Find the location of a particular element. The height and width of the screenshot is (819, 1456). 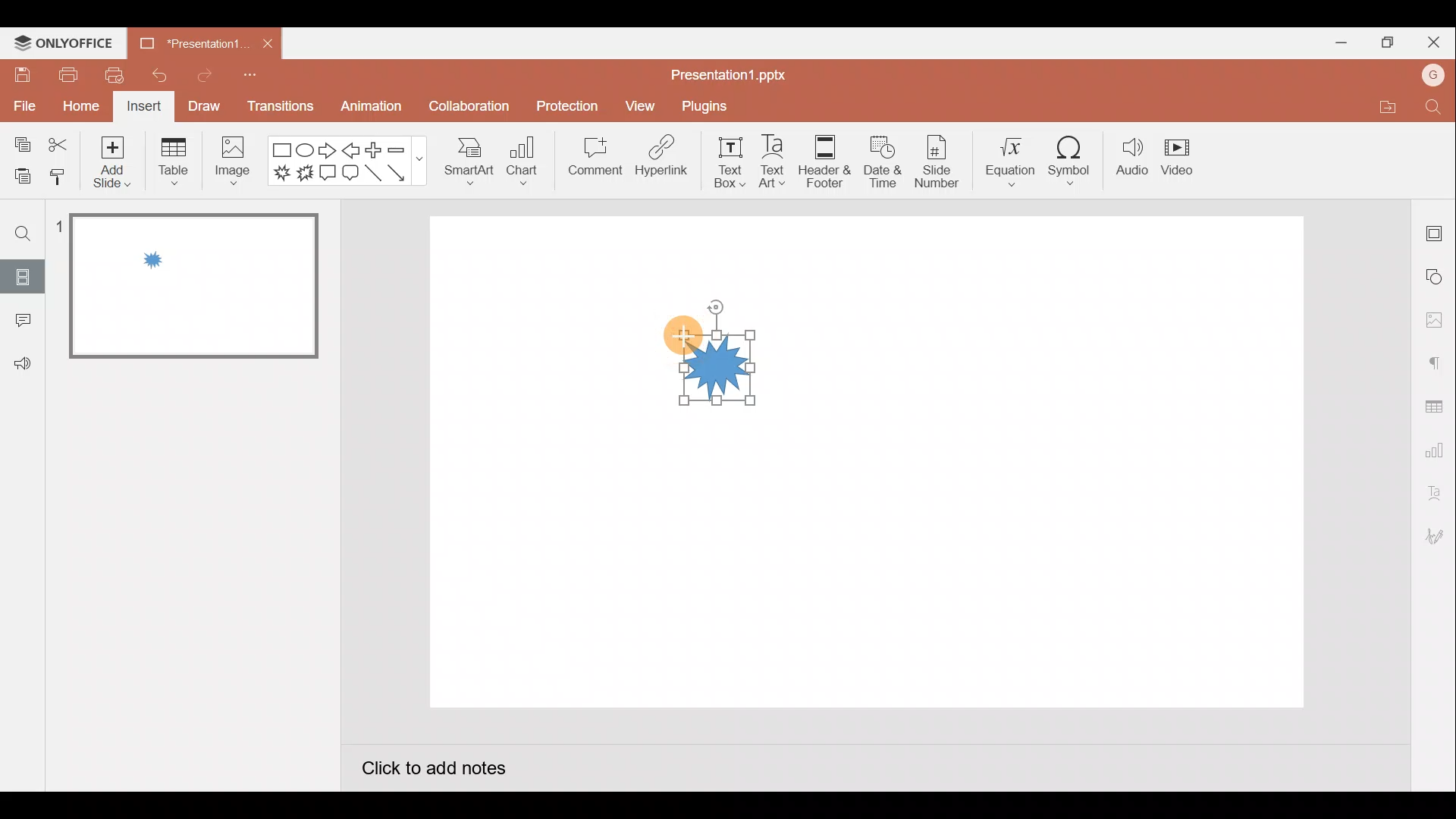

Text box is located at coordinates (719, 163).